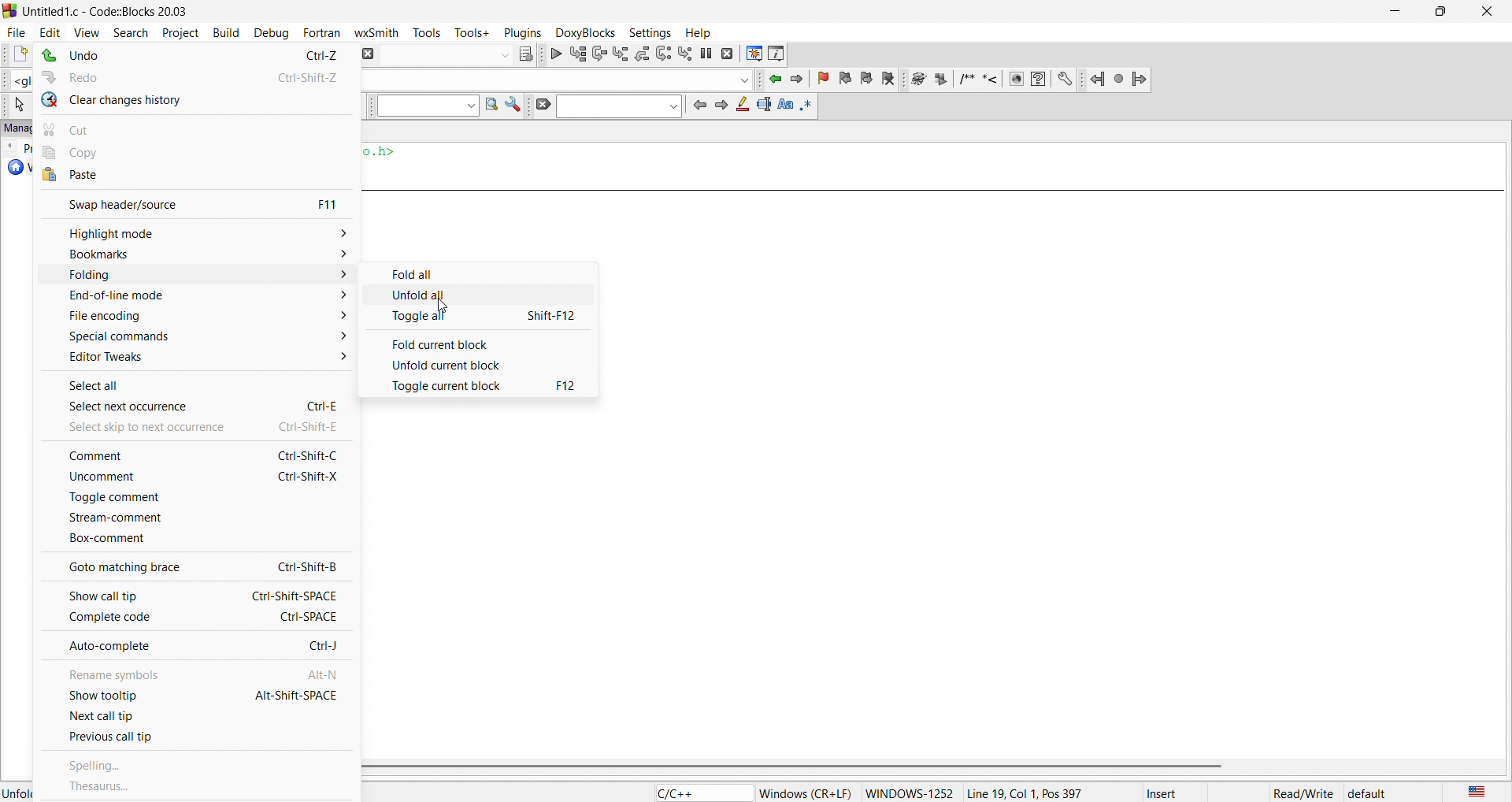  I want to click on toggle all, so click(481, 319).